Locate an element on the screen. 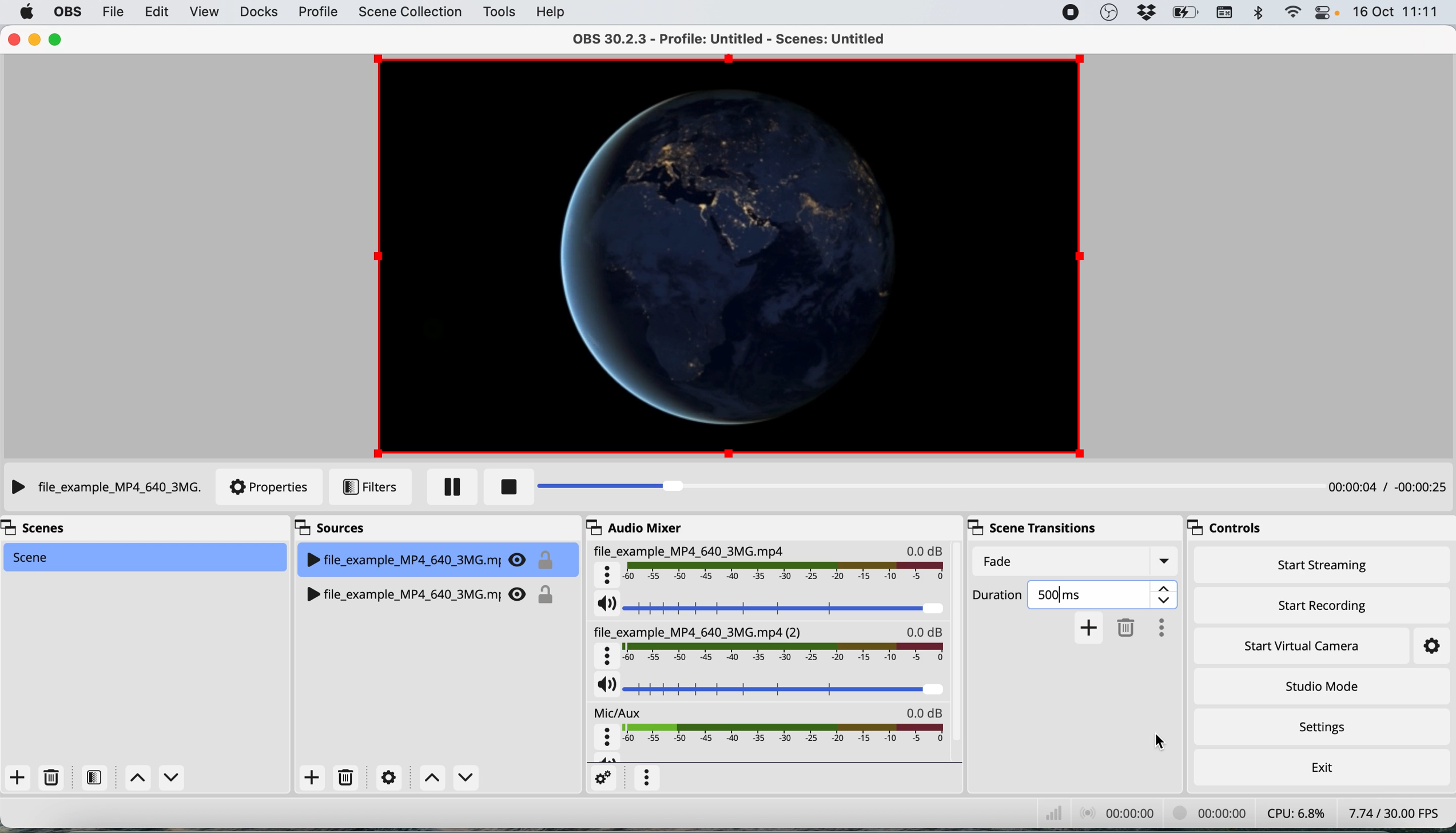 The width and height of the screenshot is (1456, 833). edit is located at coordinates (161, 13).